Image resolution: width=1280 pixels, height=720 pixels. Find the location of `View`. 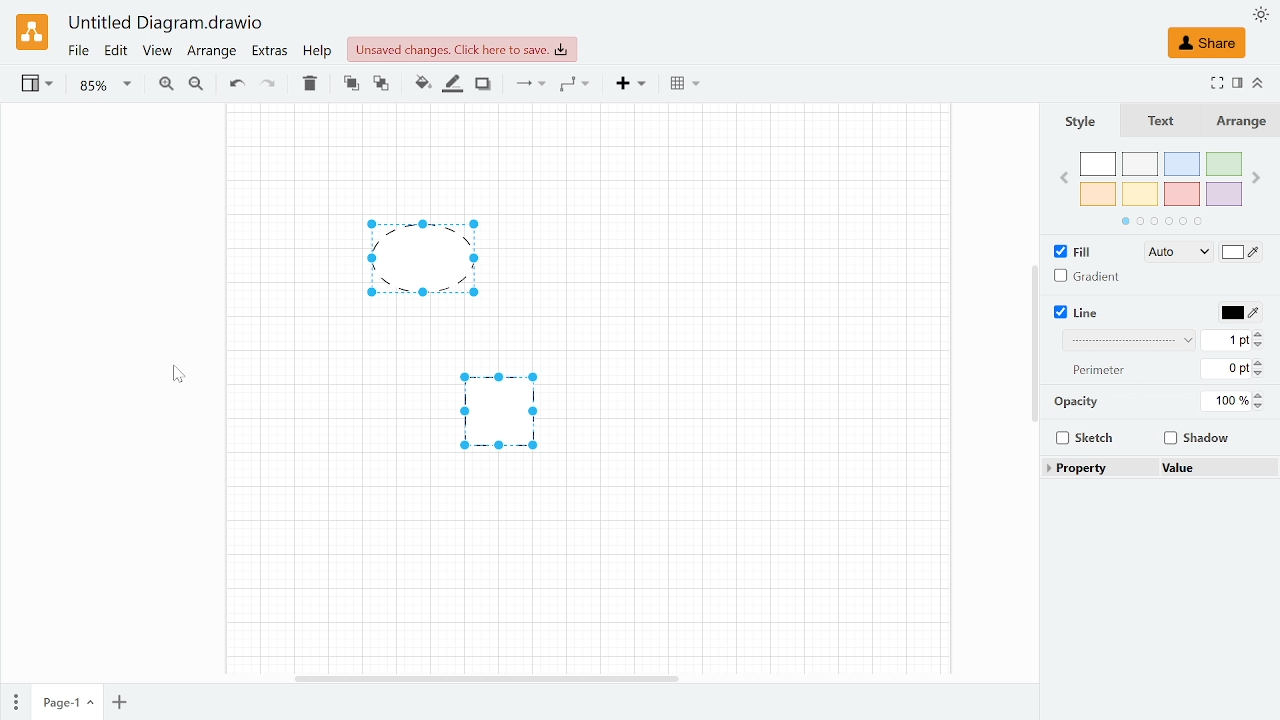

View is located at coordinates (39, 86).